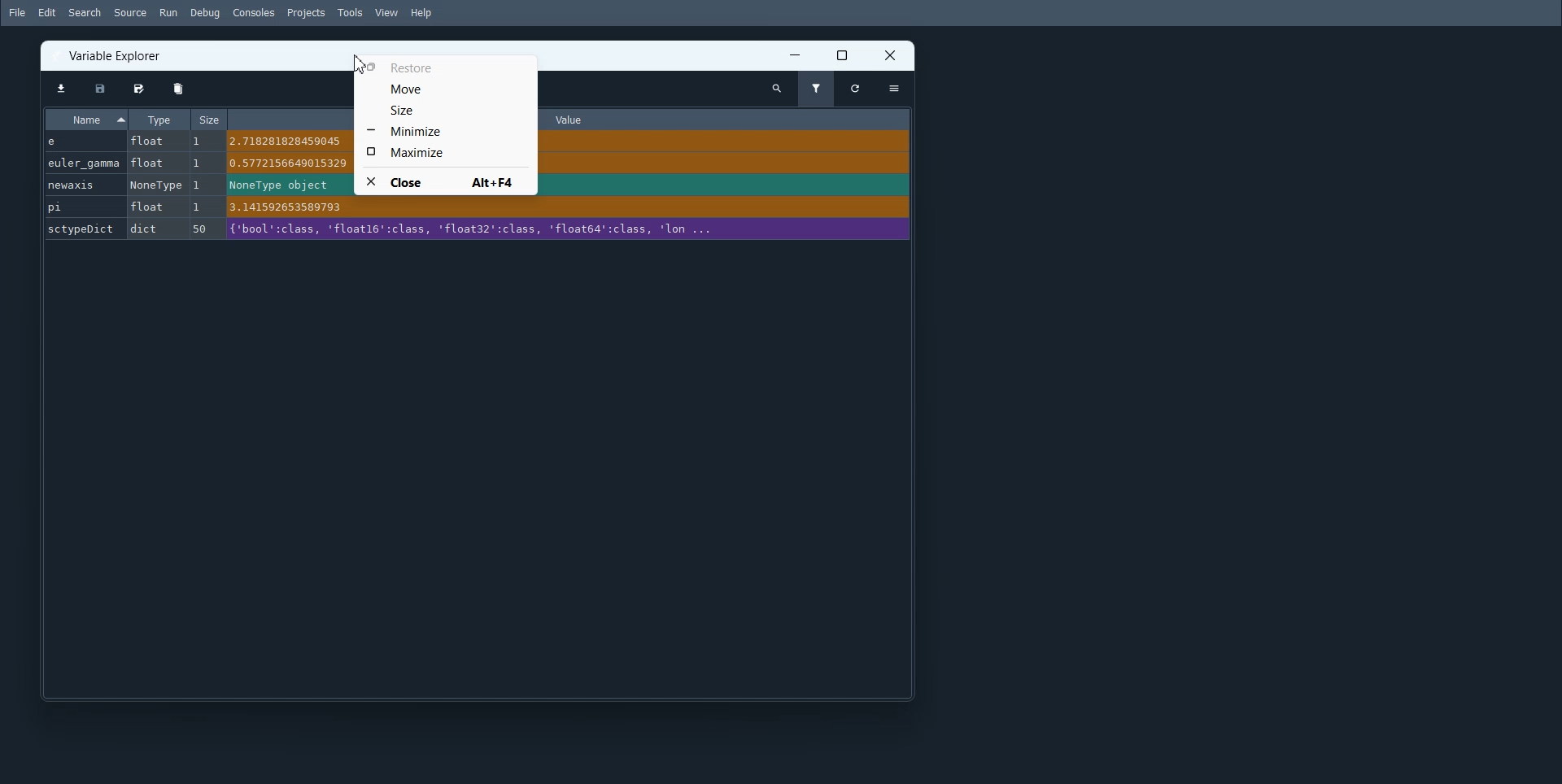  Describe the element at coordinates (200, 228) in the screenshot. I see `50` at that location.